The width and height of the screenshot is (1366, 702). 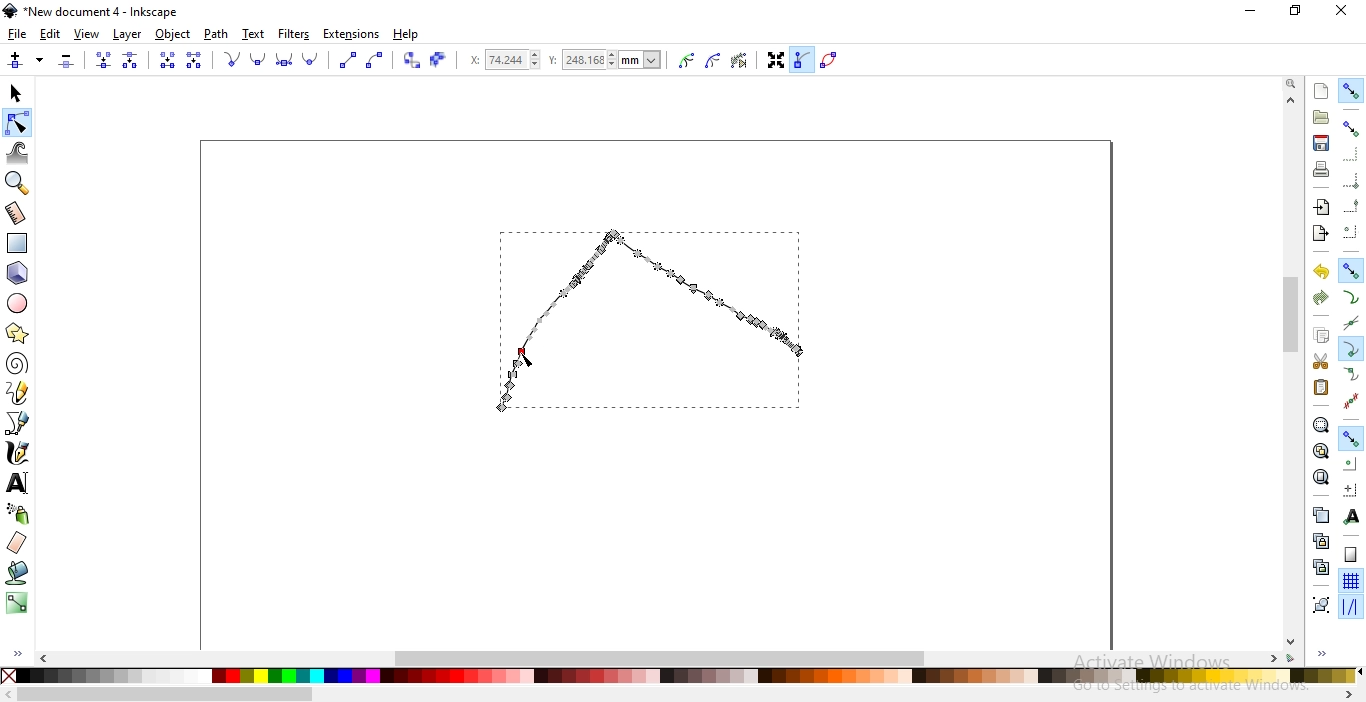 What do you see at coordinates (260, 60) in the screenshot?
I see `make selected nodes smooth` at bounding box center [260, 60].